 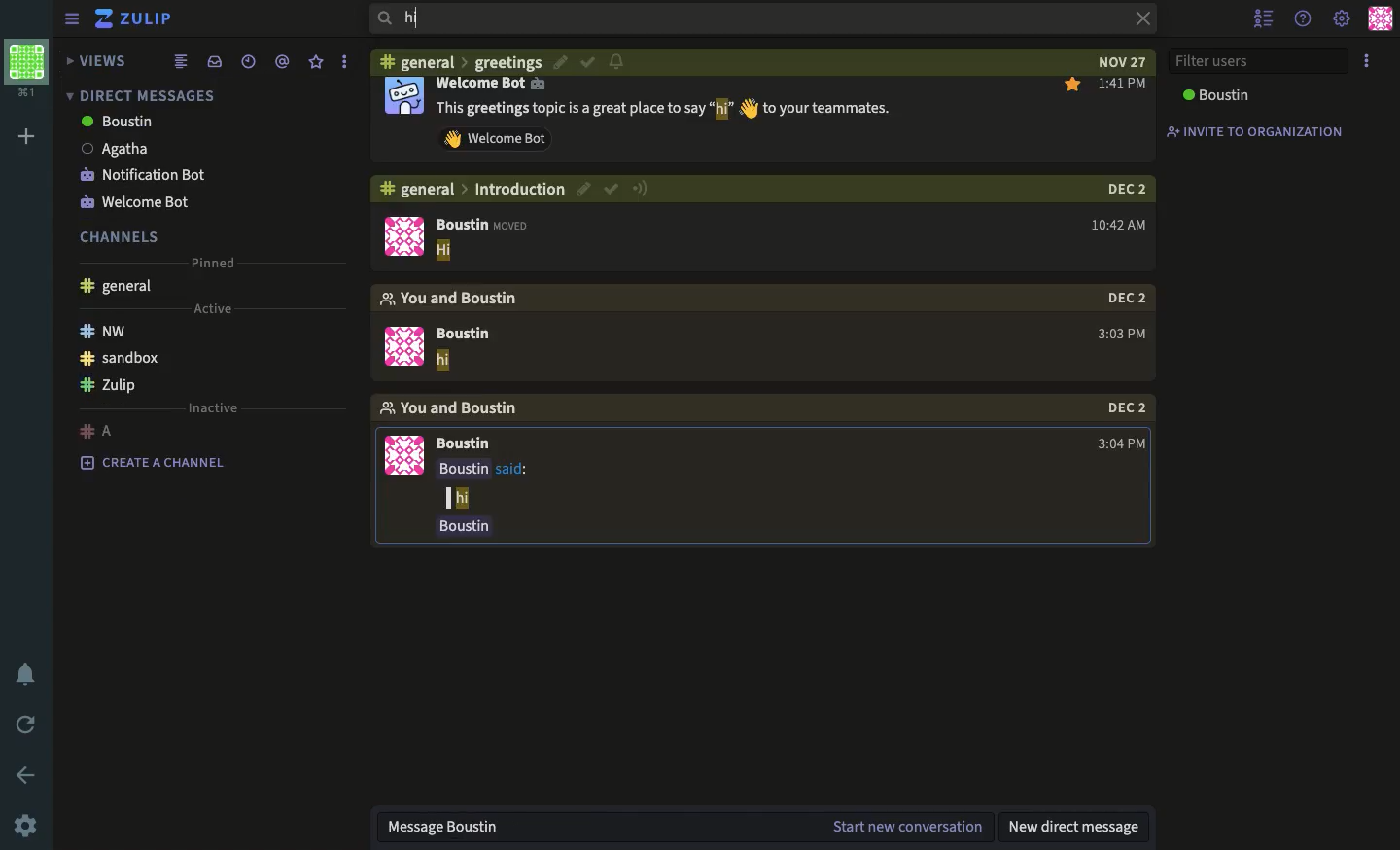 What do you see at coordinates (126, 236) in the screenshot?
I see `channels` at bounding box center [126, 236].